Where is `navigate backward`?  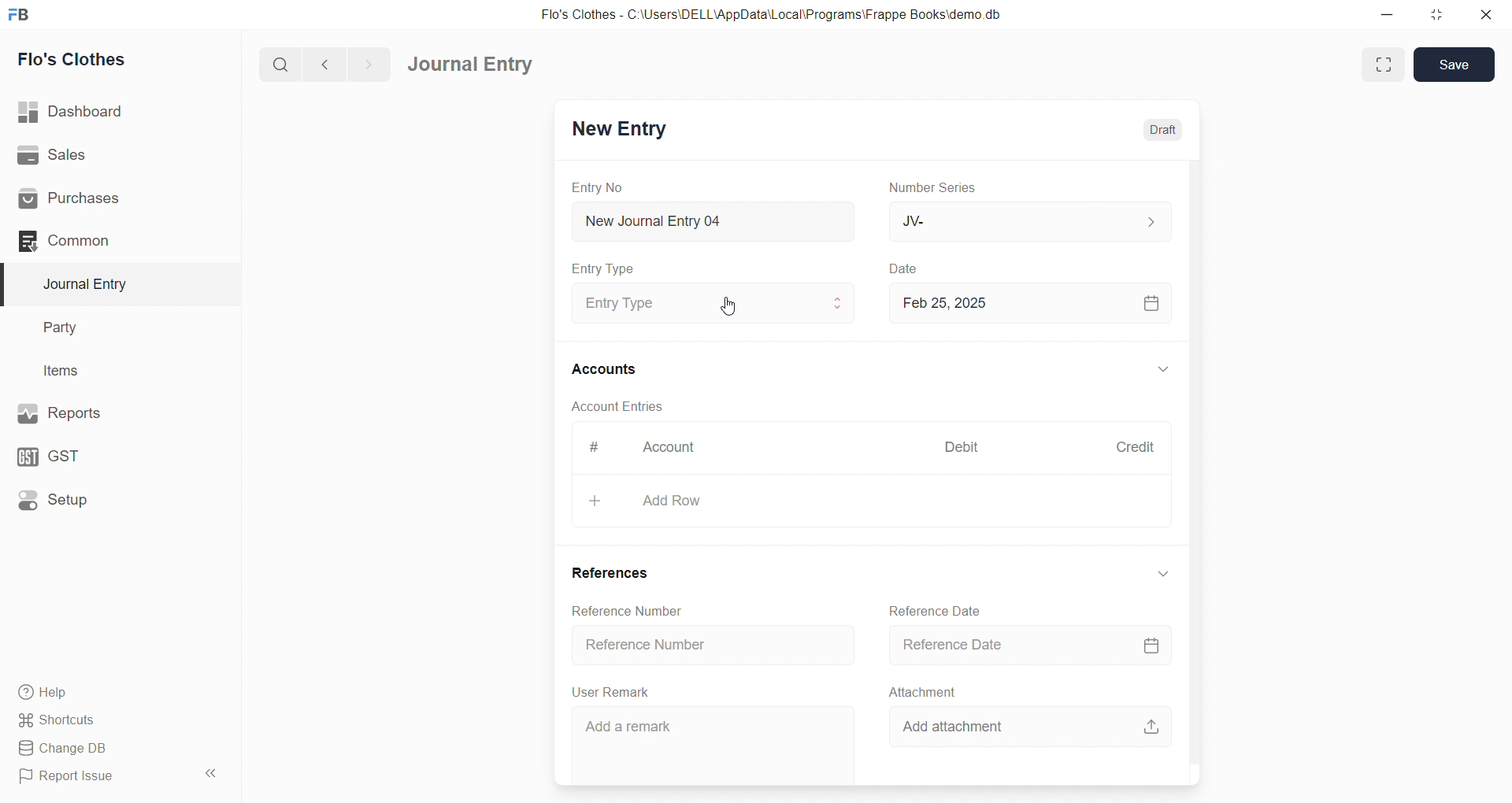 navigate backward is located at coordinates (332, 62).